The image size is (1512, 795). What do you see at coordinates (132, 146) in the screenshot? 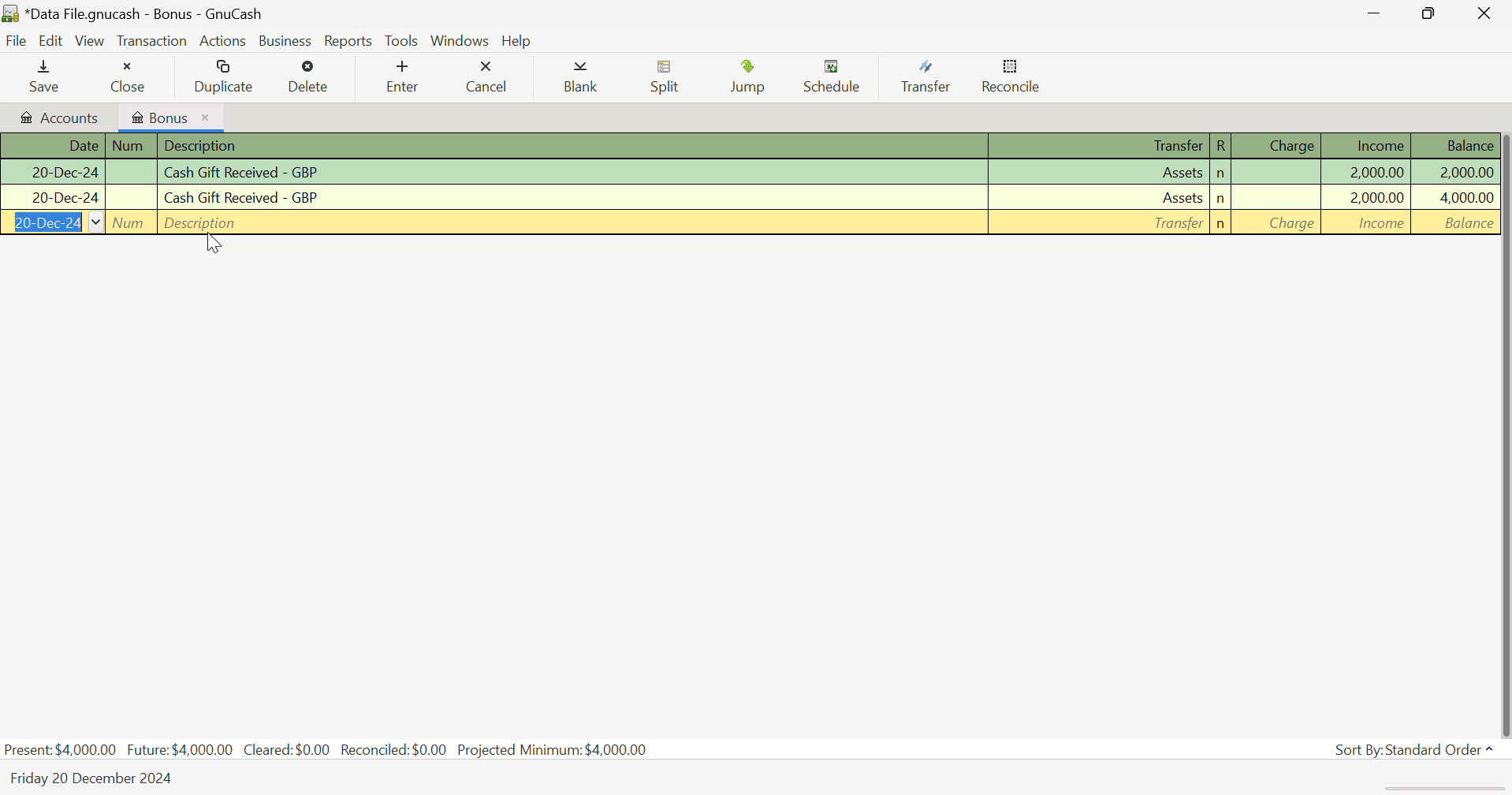
I see `Num` at bounding box center [132, 146].